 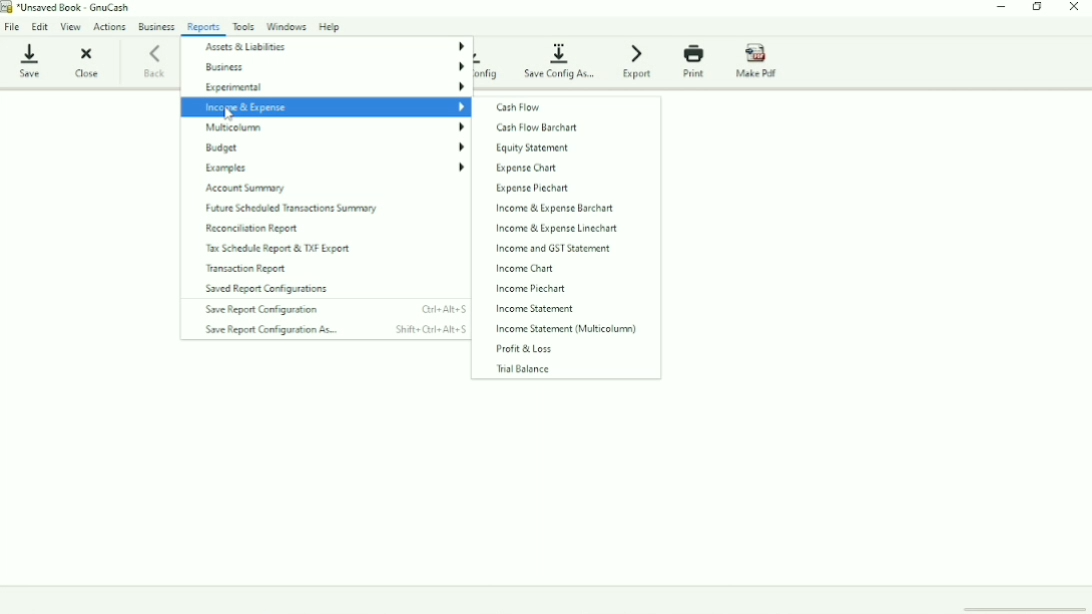 I want to click on Cash Flow, so click(x=525, y=107).